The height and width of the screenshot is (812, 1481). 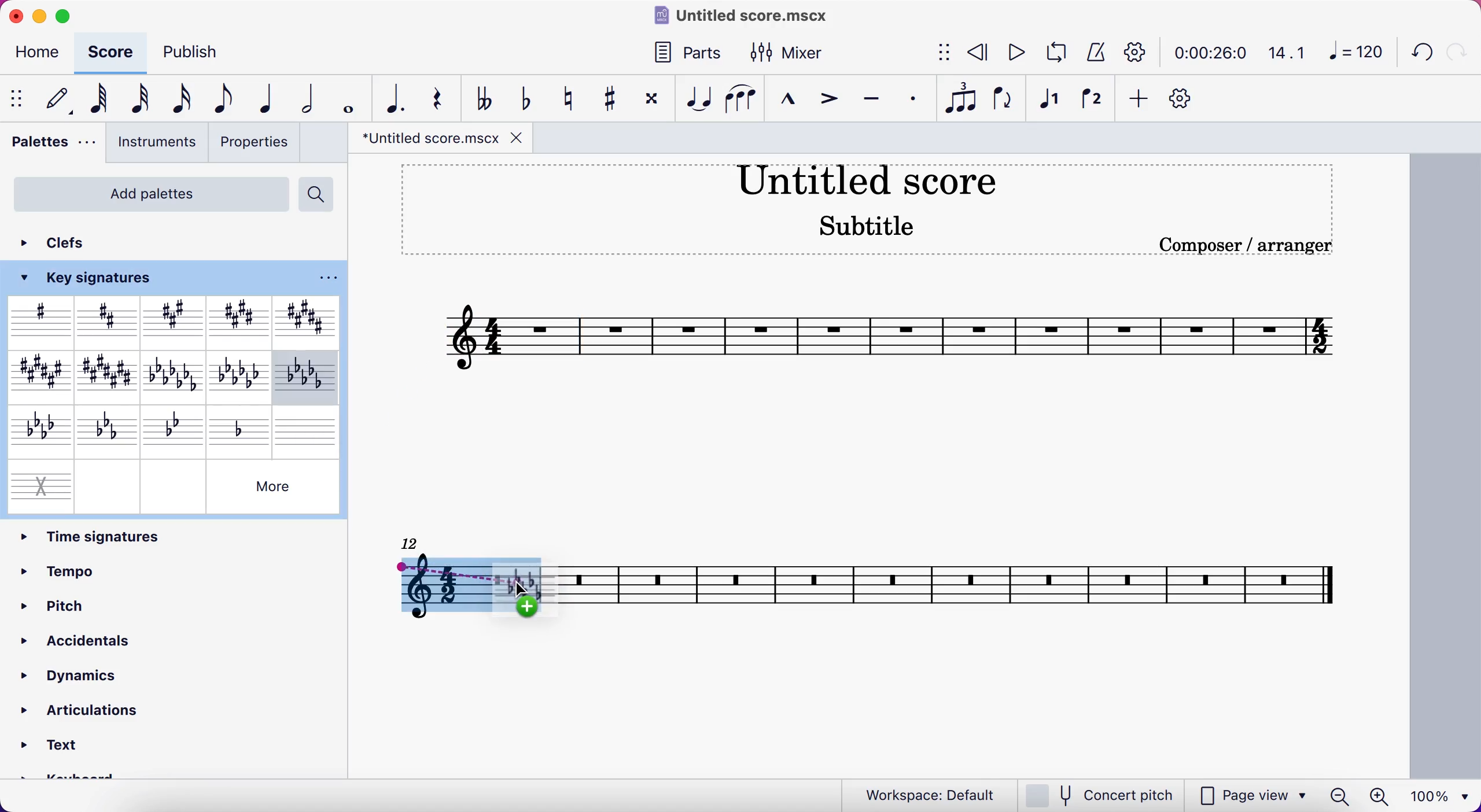 I want to click on close, so click(x=16, y=16).